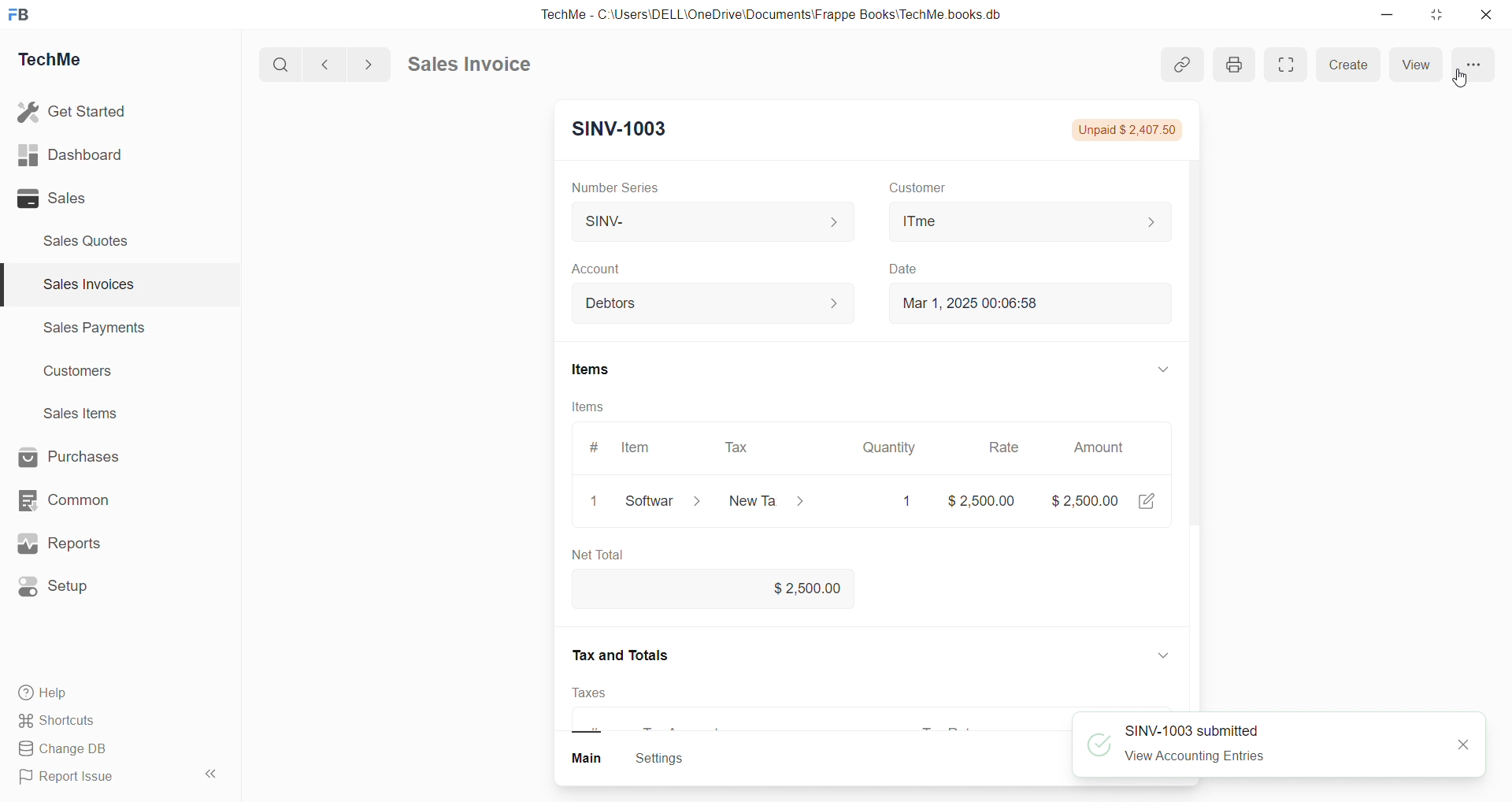  I want to click on Cursor, so click(1473, 76).